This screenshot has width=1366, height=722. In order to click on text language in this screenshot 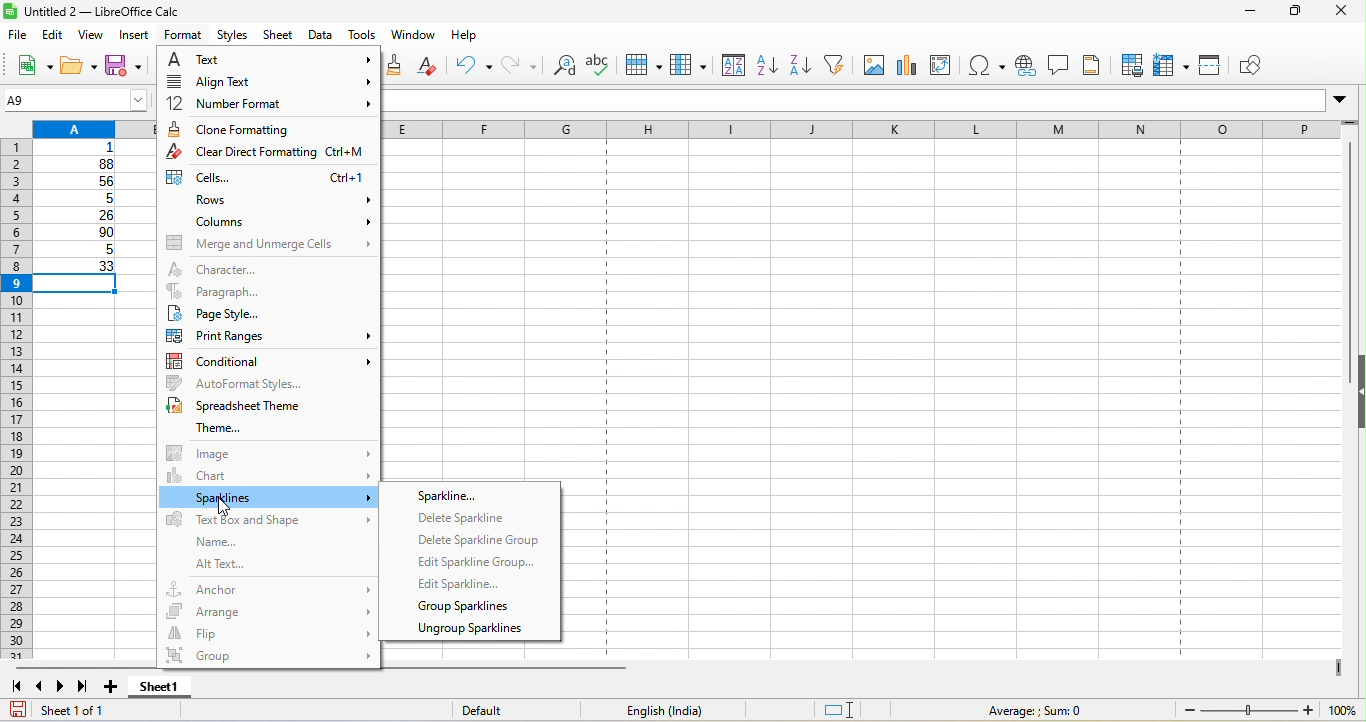, I will do `click(663, 710)`.